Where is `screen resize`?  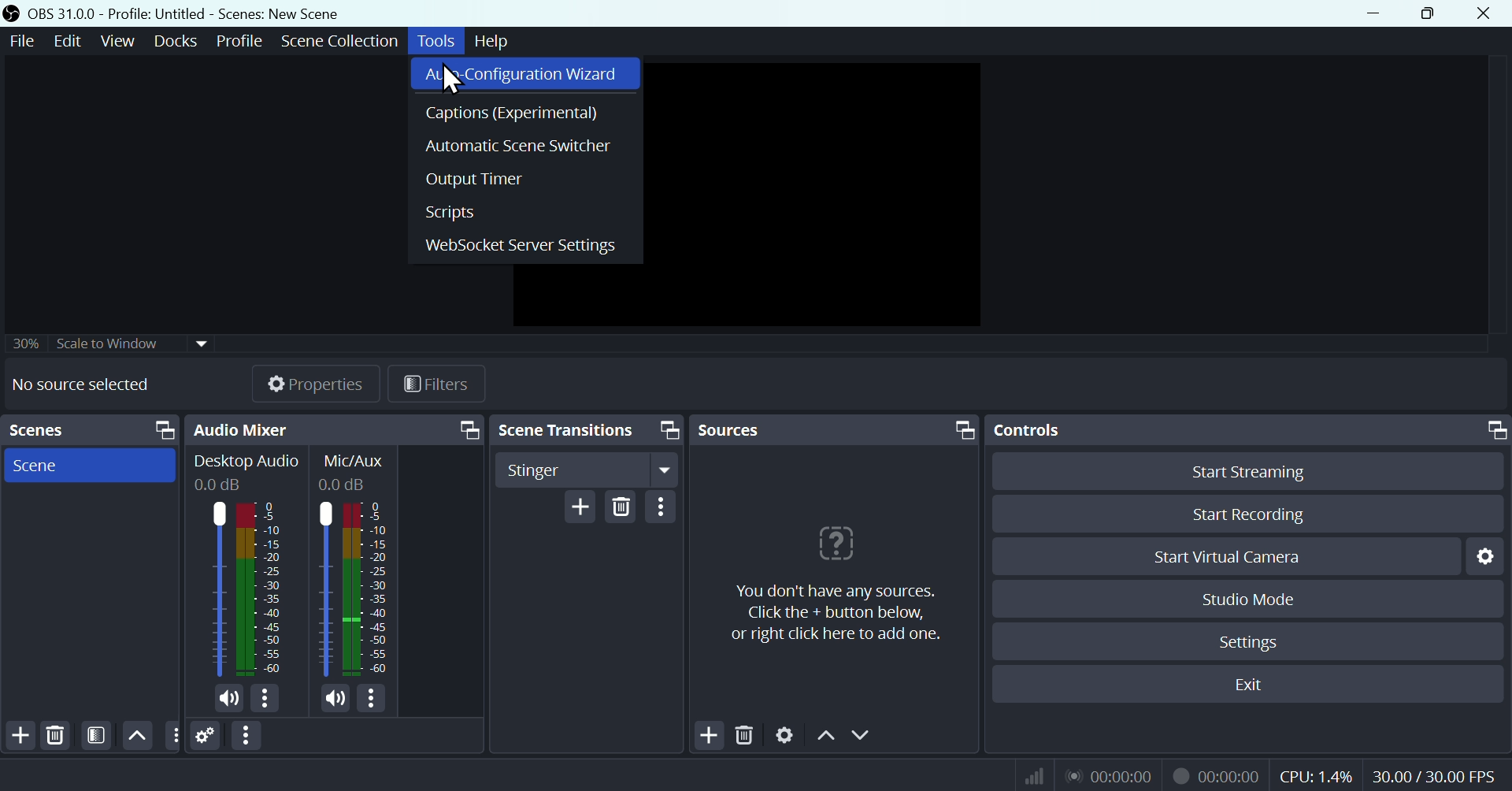 screen resize is located at coordinates (667, 430).